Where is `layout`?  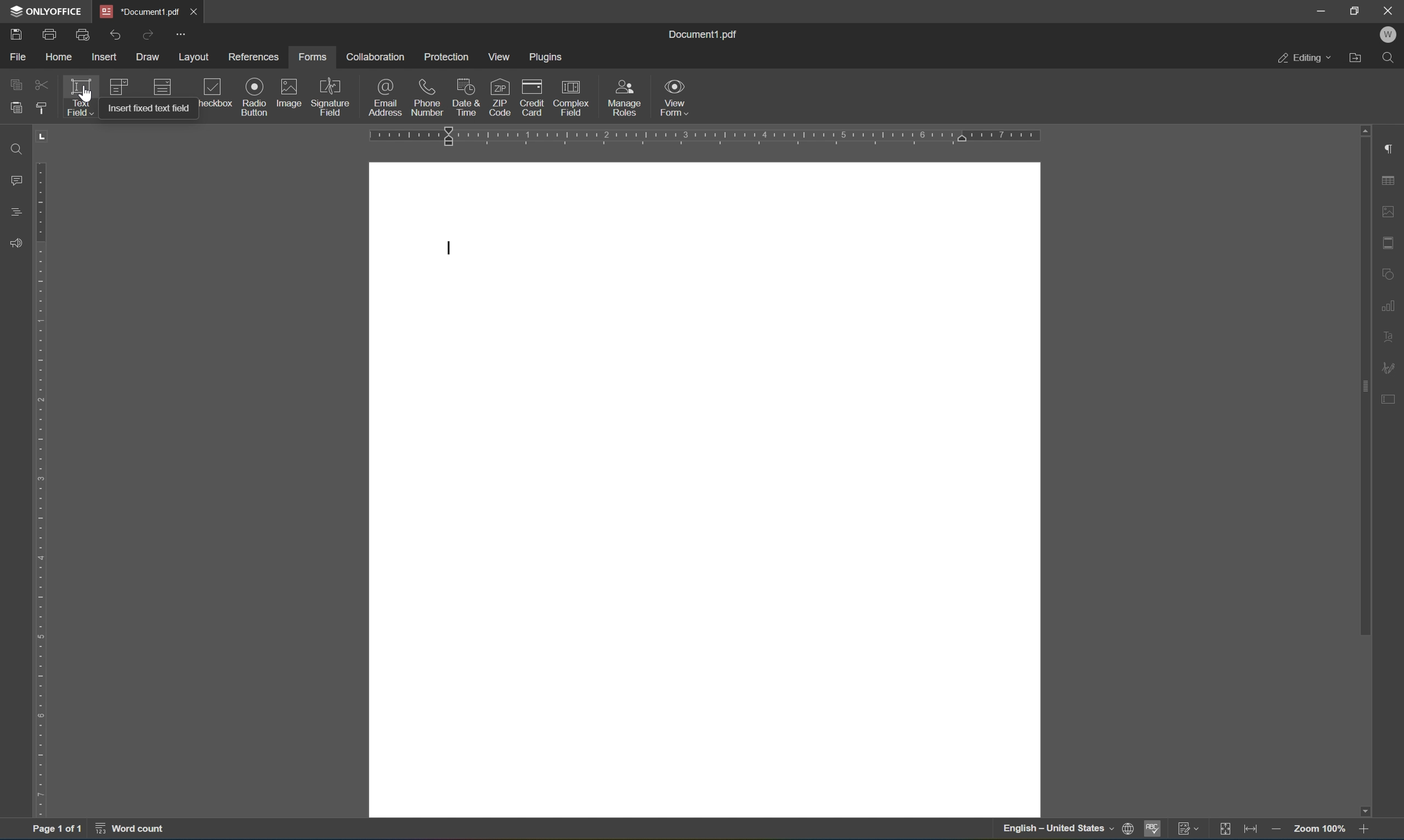 layout is located at coordinates (196, 58).